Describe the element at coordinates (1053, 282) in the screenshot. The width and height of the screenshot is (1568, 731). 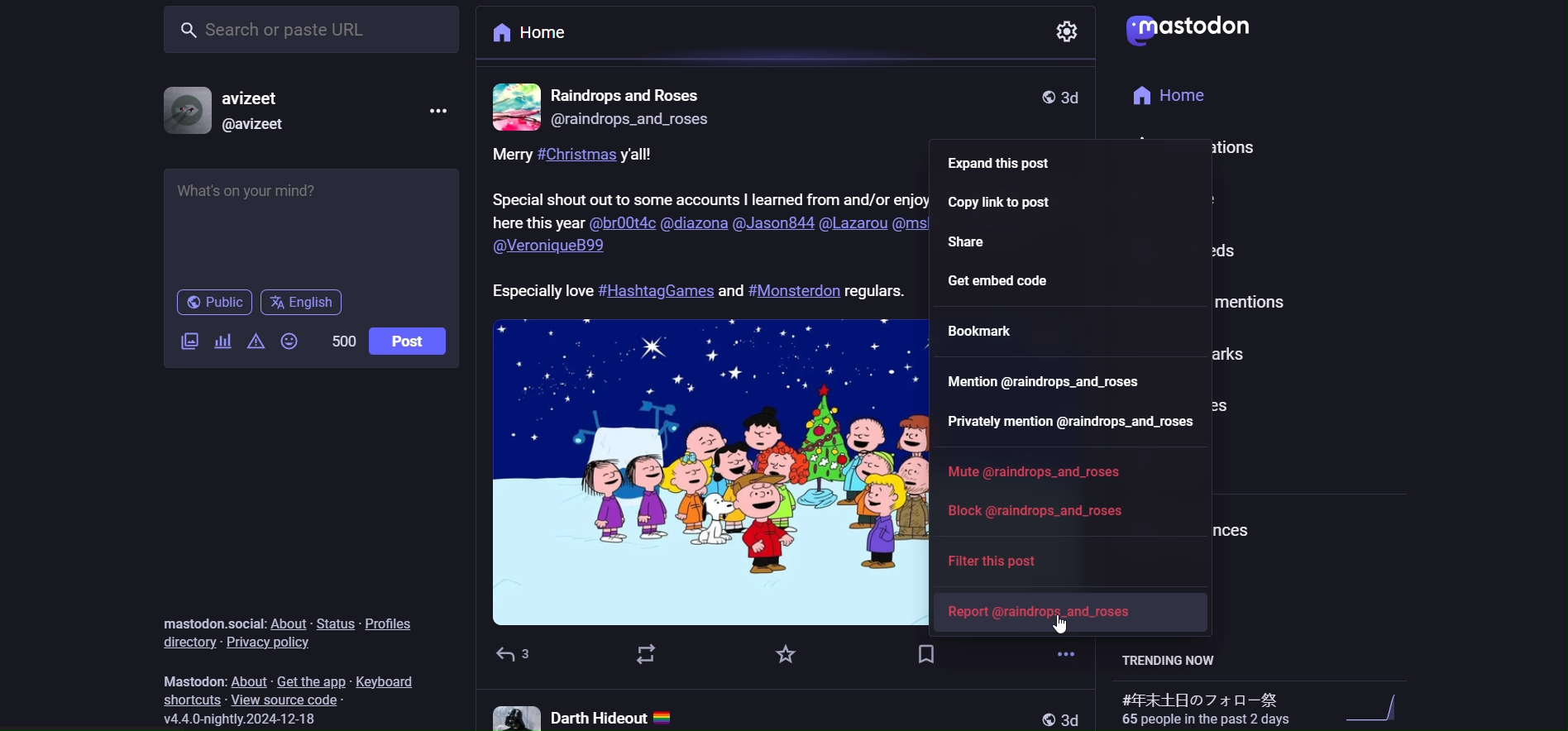
I see `get embed code` at that location.